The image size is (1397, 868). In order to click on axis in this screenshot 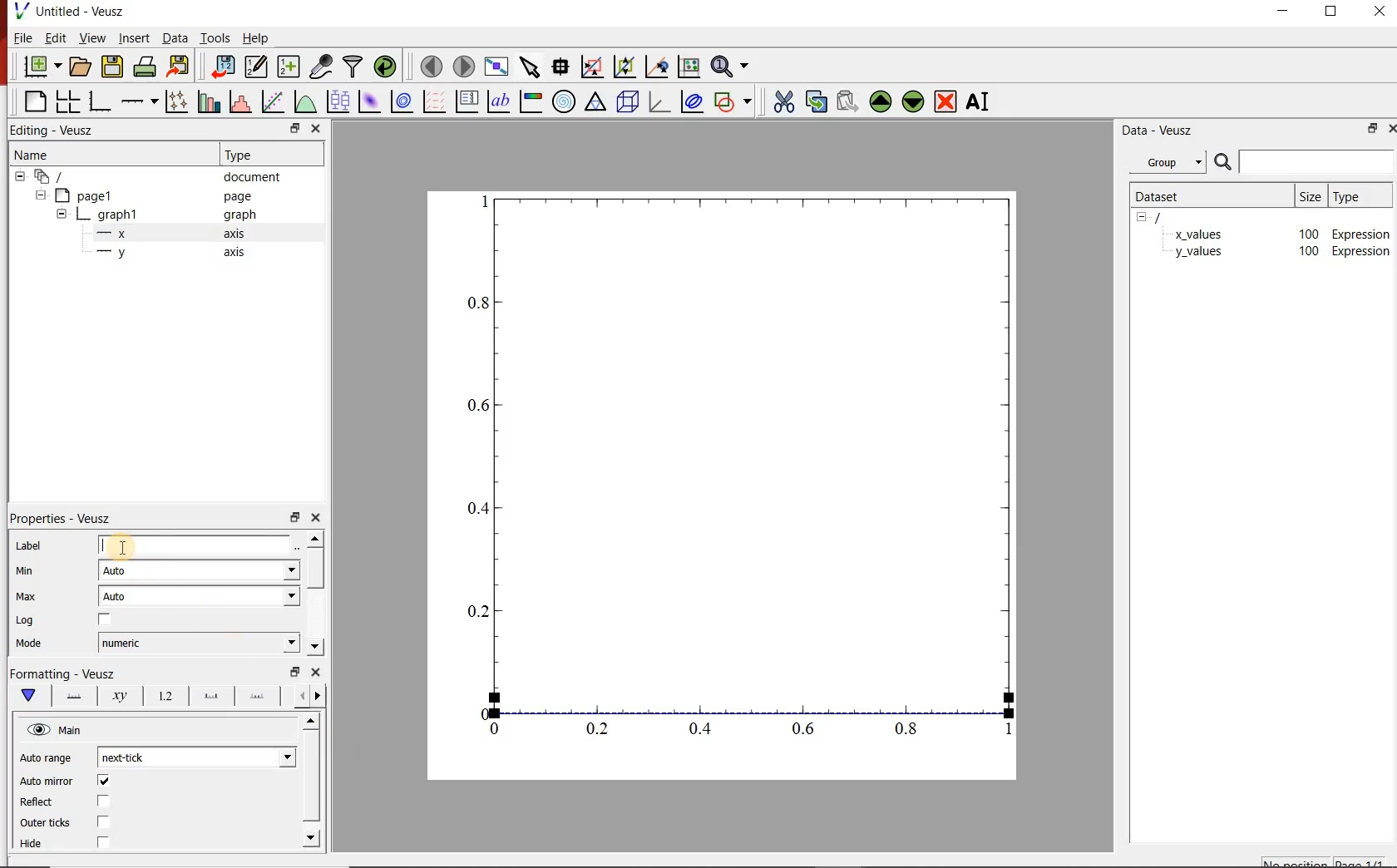, I will do `click(234, 253)`.